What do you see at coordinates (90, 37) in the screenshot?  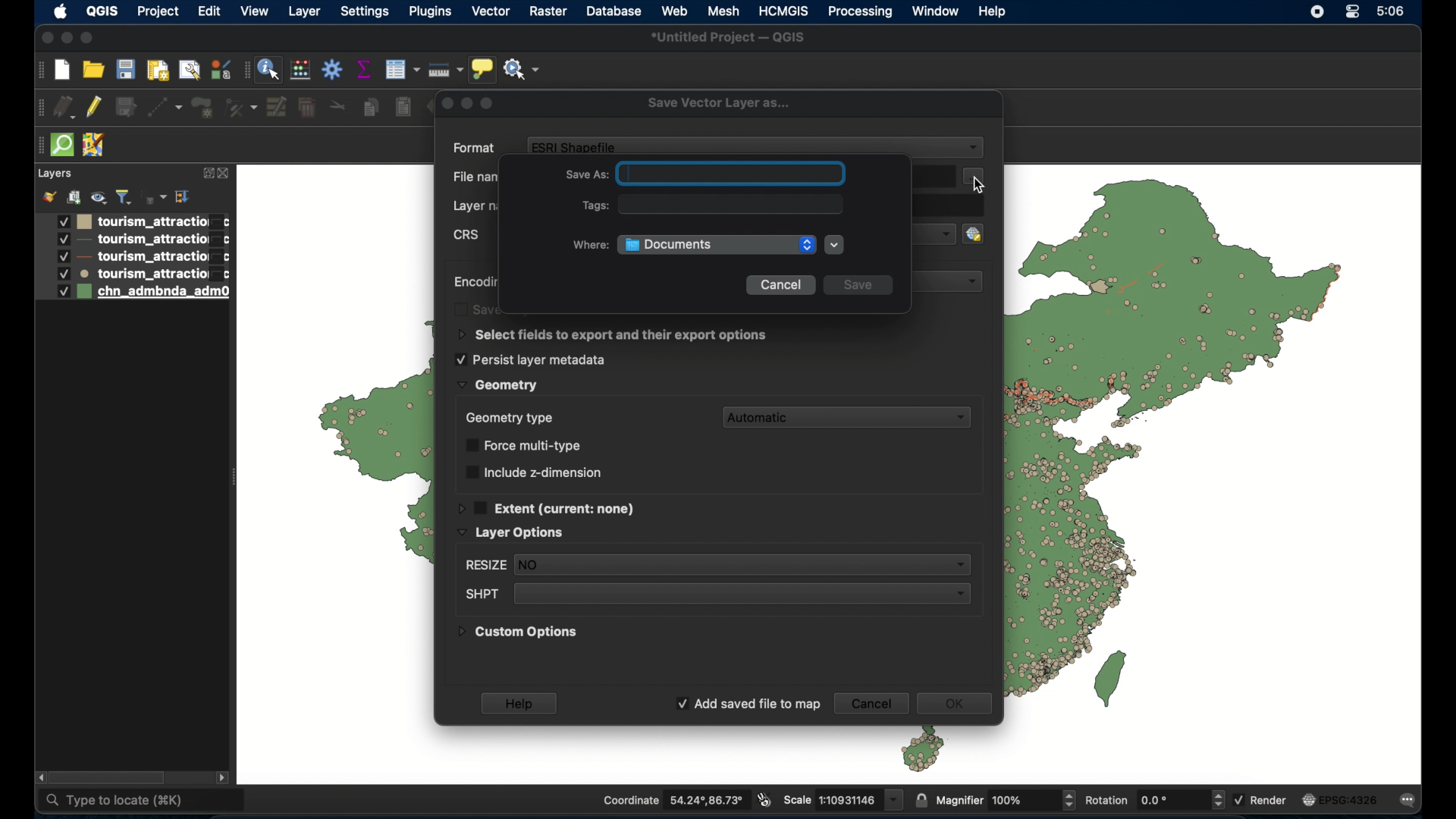 I see `maximize` at bounding box center [90, 37].